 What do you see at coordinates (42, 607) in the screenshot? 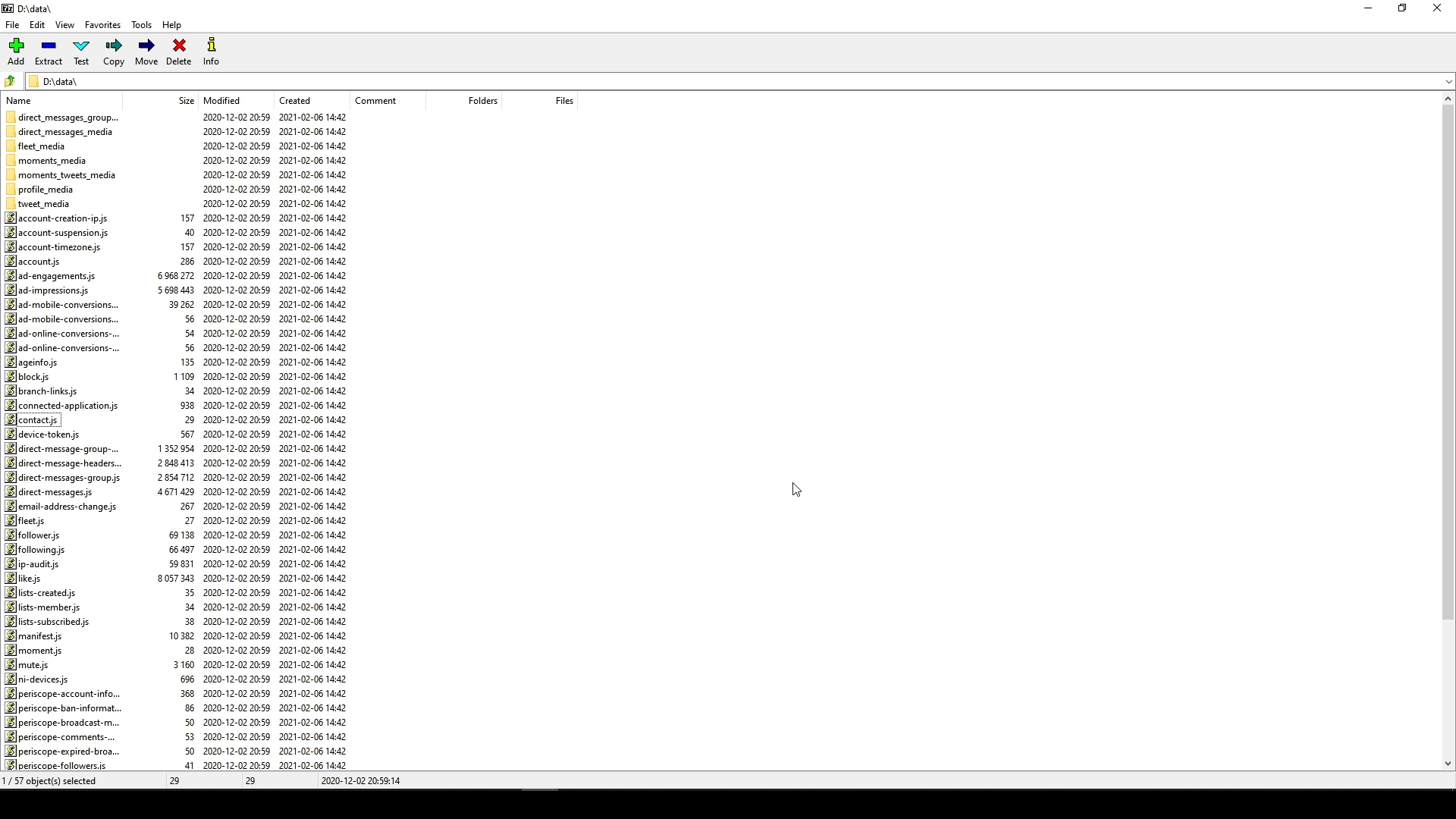
I see `lists-member.js` at bounding box center [42, 607].